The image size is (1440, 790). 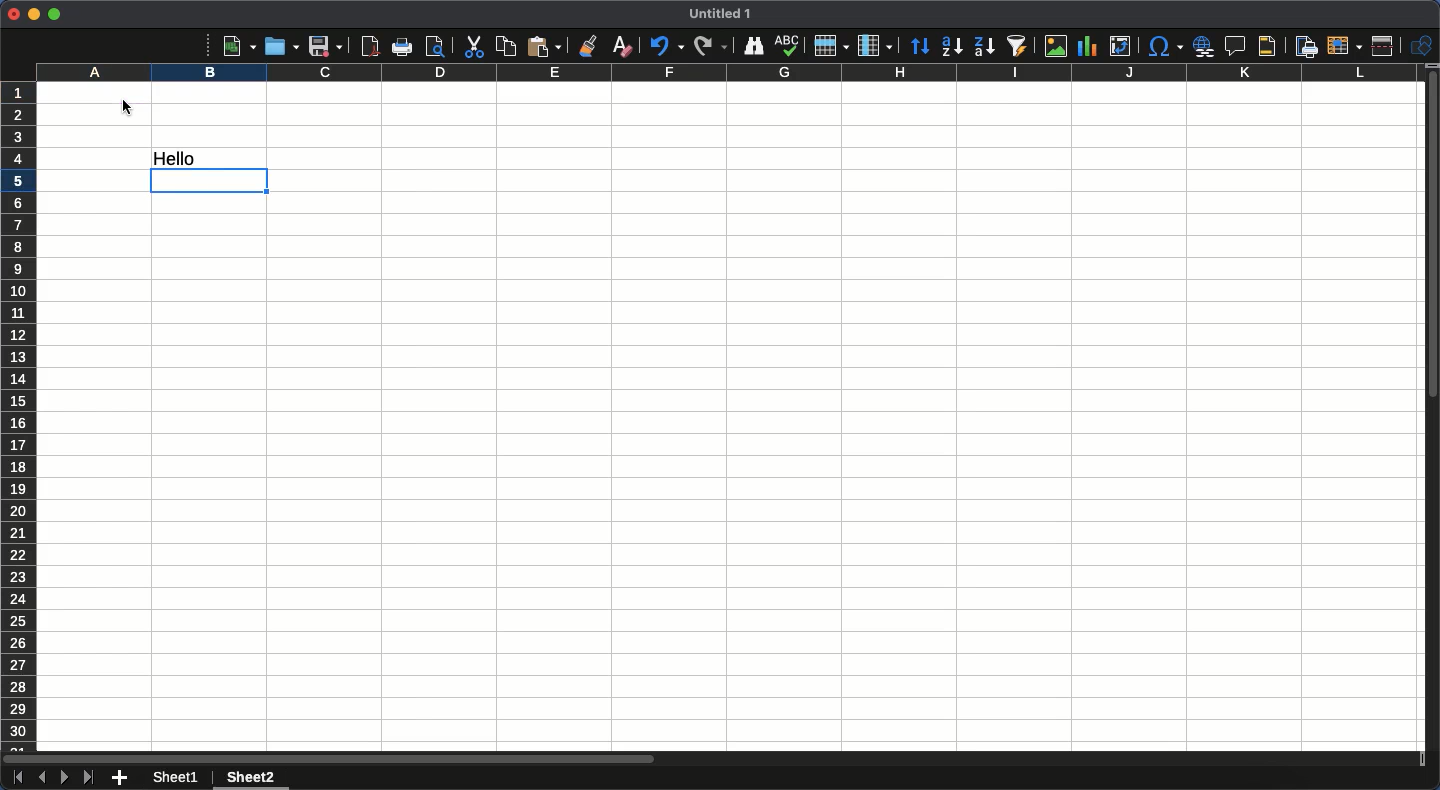 I want to click on Paste, so click(x=544, y=46).